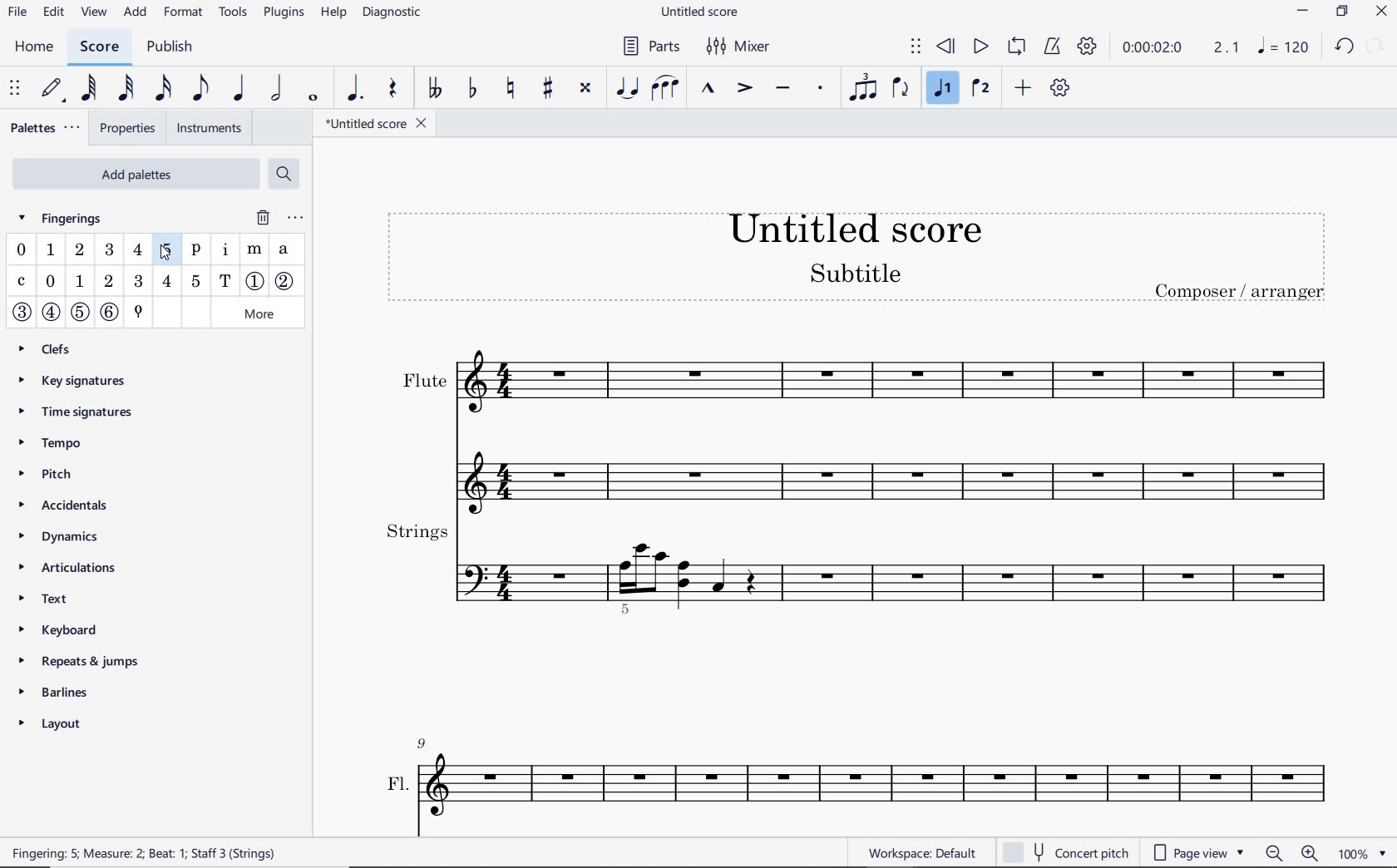 The width and height of the screenshot is (1397, 868). What do you see at coordinates (77, 723) in the screenshot?
I see `layout` at bounding box center [77, 723].